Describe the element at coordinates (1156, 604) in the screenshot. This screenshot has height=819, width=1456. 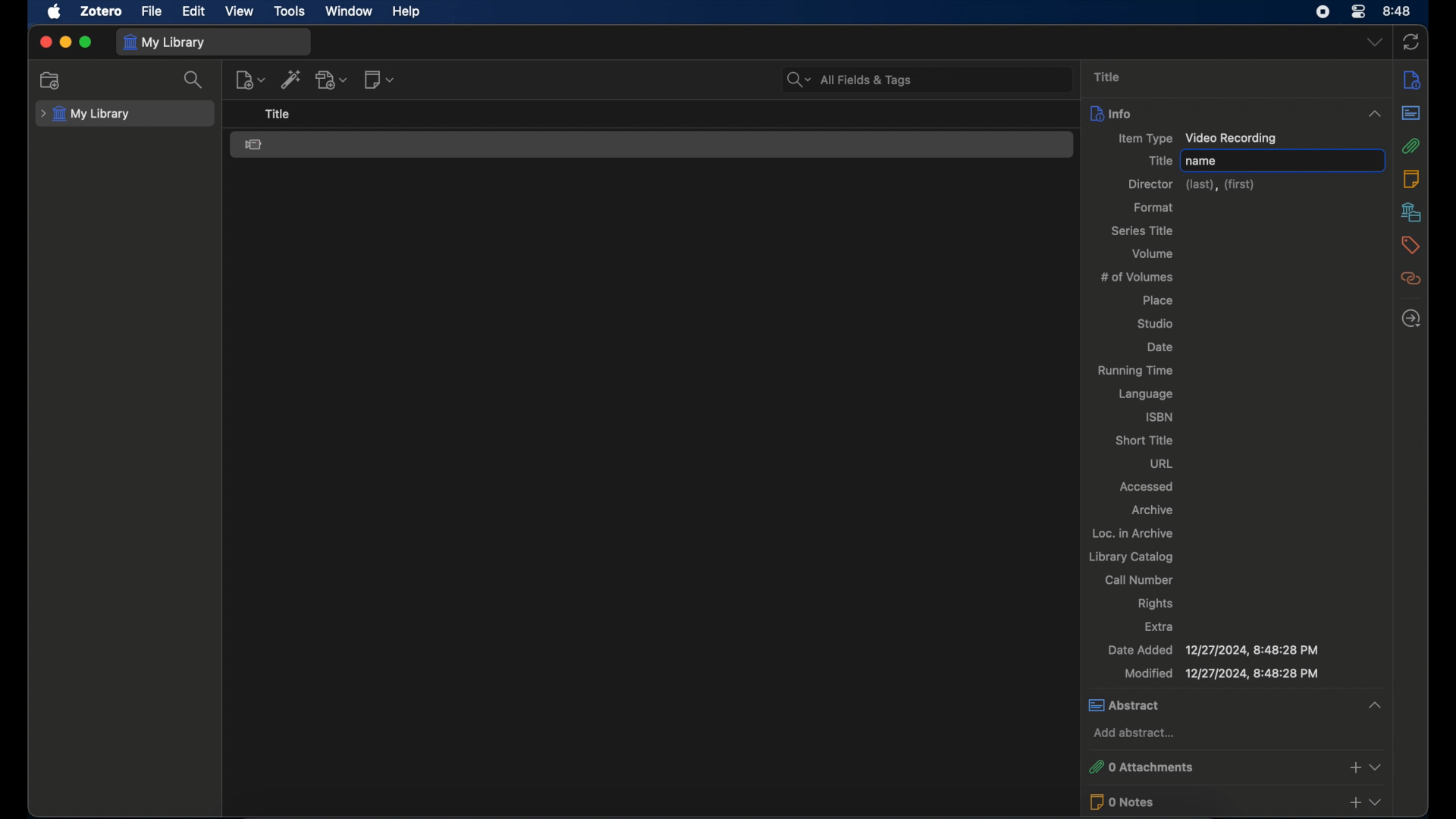
I see `rights` at that location.